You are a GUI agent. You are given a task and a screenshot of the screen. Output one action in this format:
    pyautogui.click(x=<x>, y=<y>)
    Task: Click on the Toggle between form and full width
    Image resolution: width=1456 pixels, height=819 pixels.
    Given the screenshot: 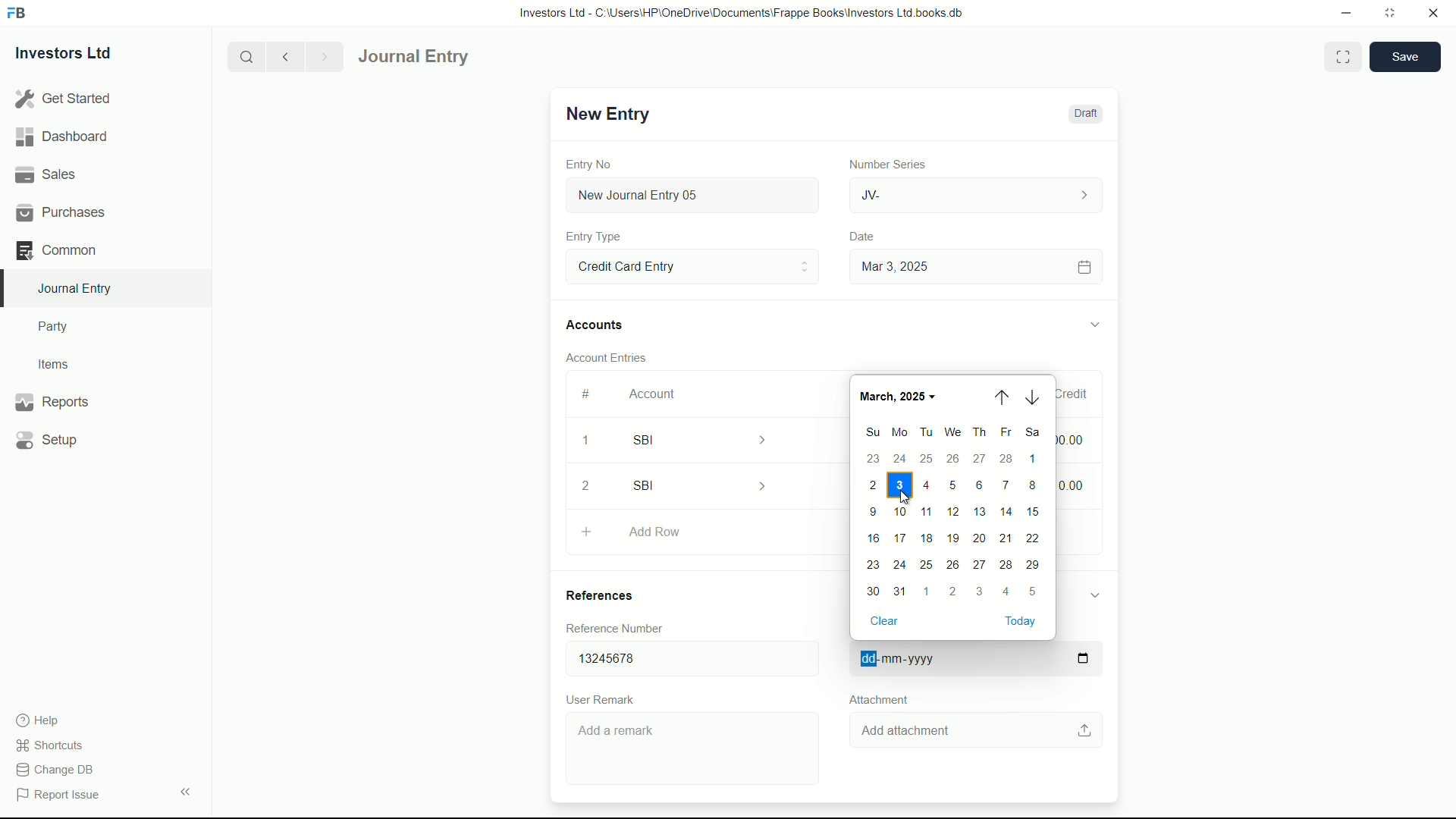 What is the action you would take?
    pyautogui.click(x=1344, y=57)
    